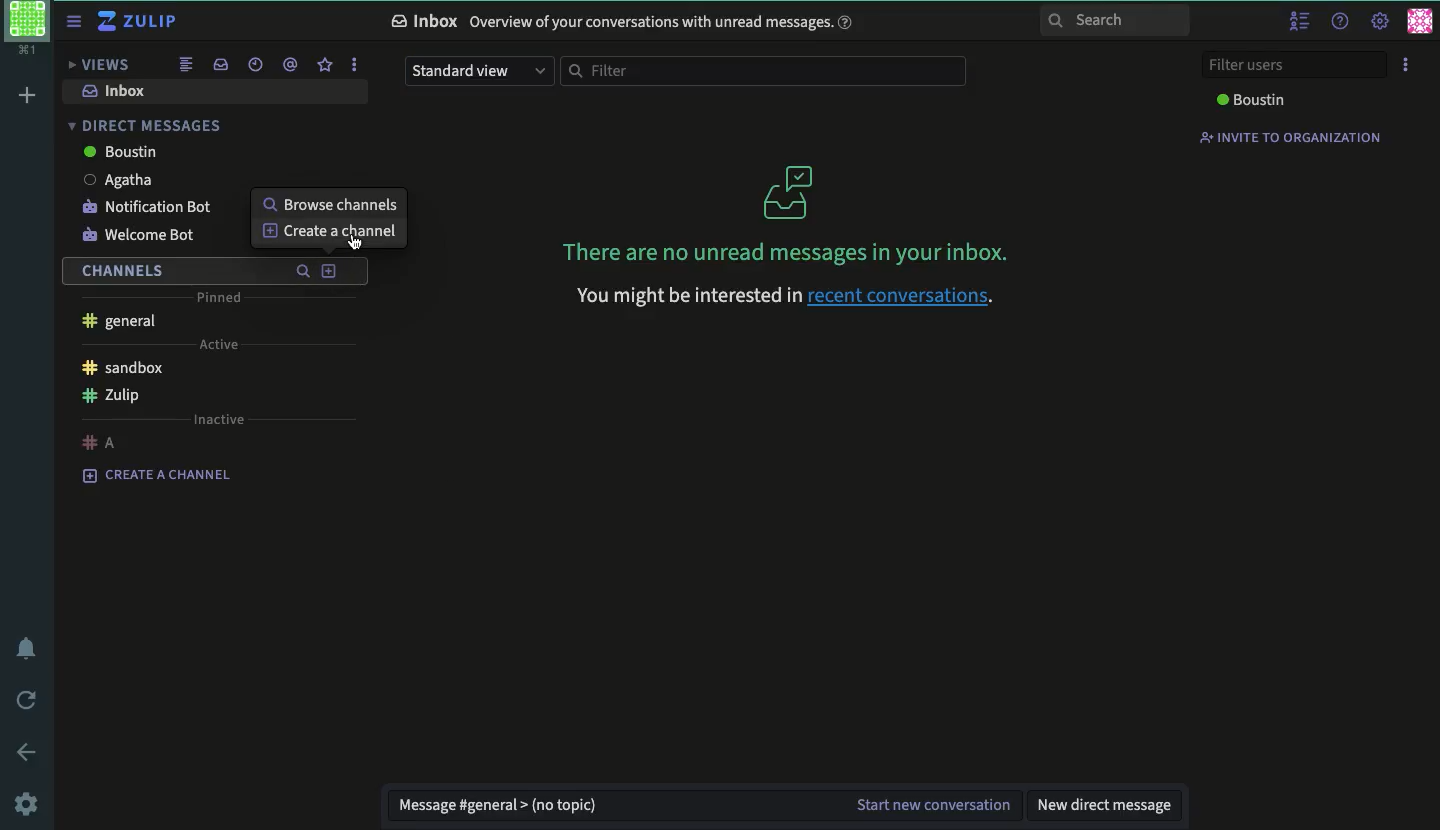  I want to click on options, so click(1404, 65).